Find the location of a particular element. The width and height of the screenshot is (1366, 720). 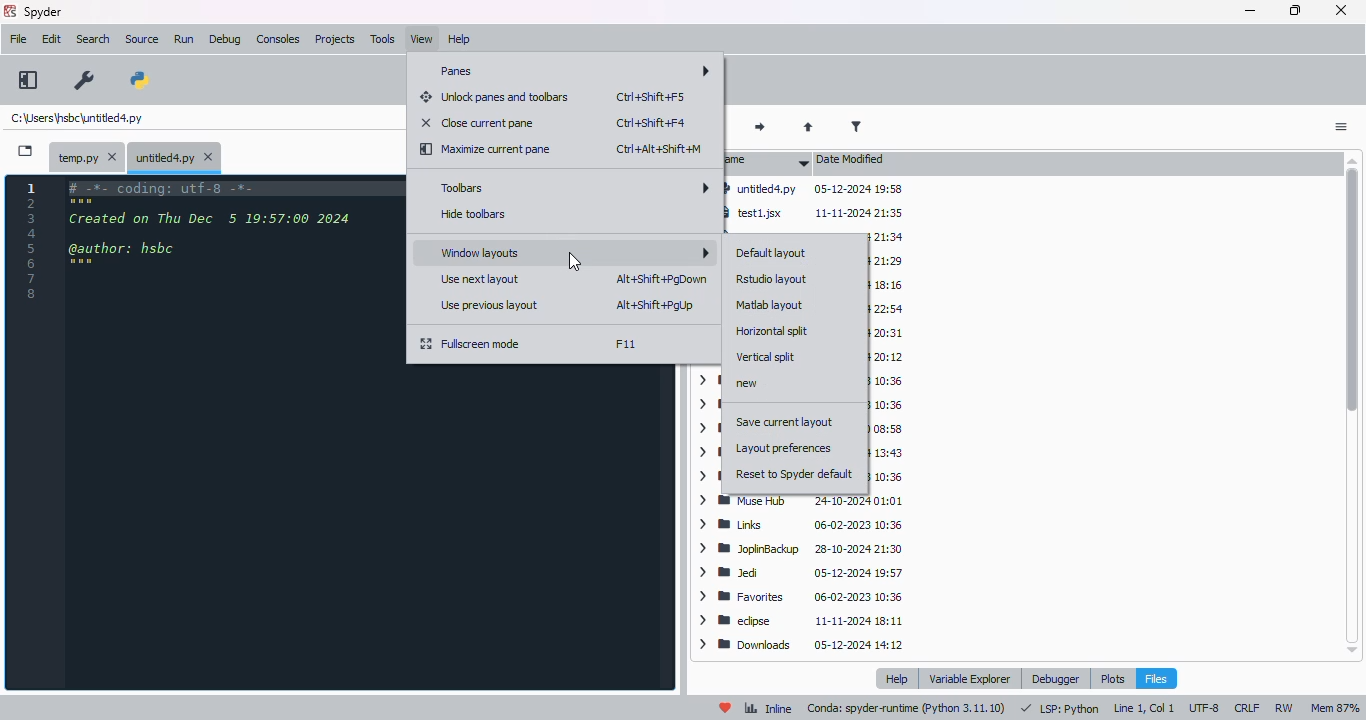

temporary file is located at coordinates (89, 158).